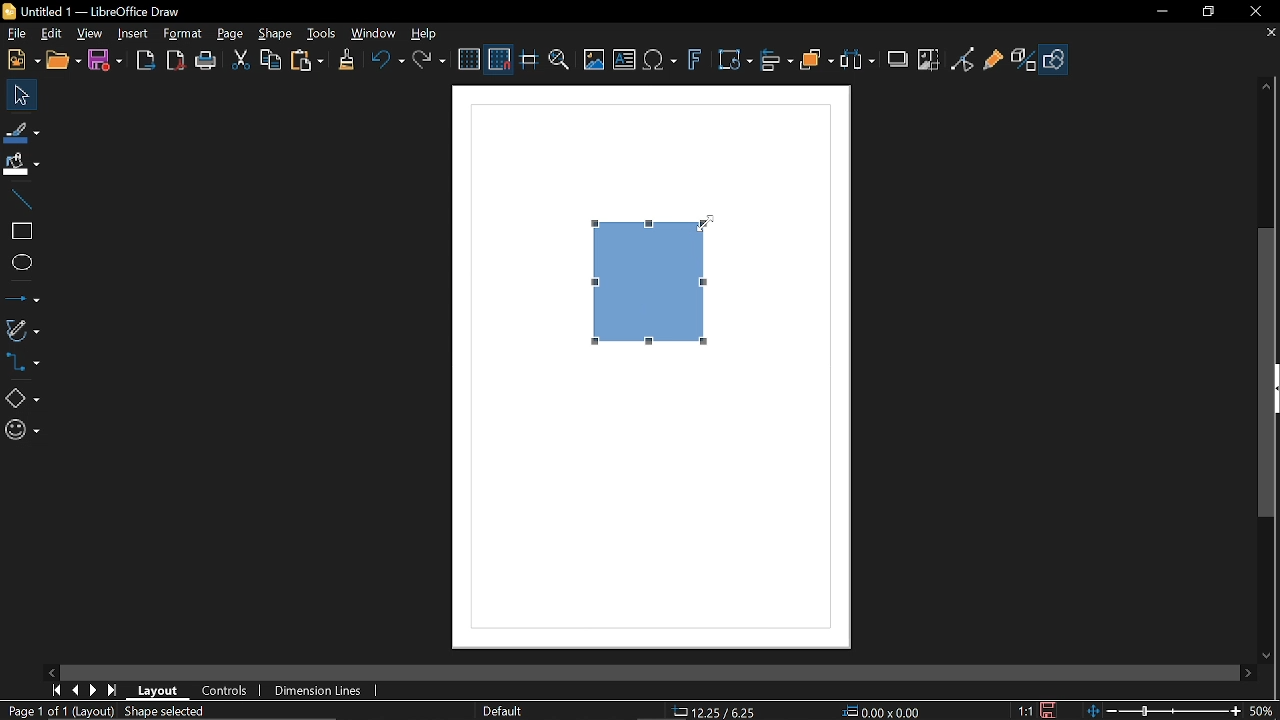  I want to click on Copy, so click(272, 61).